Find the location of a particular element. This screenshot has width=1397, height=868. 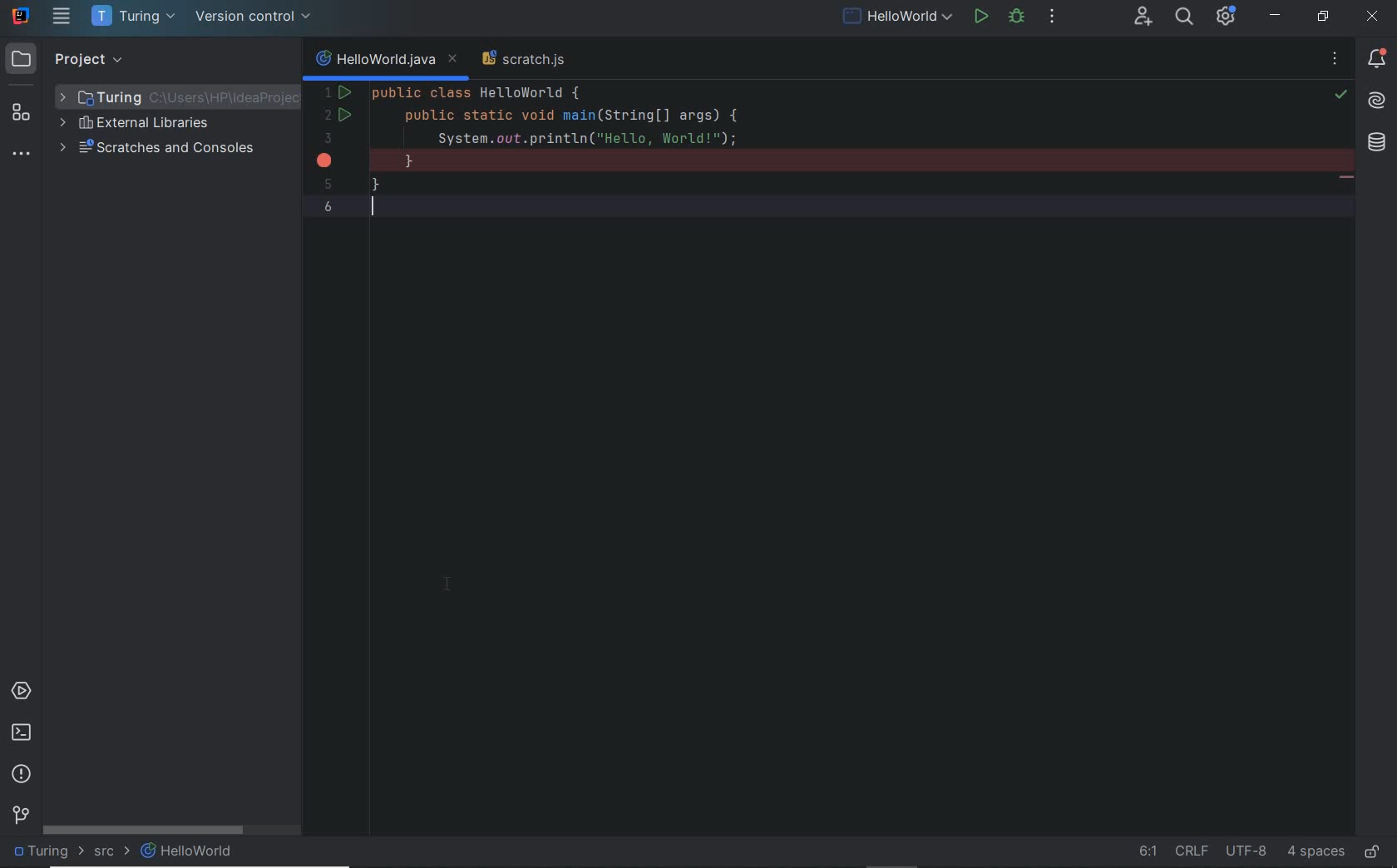

3 is located at coordinates (327, 138).